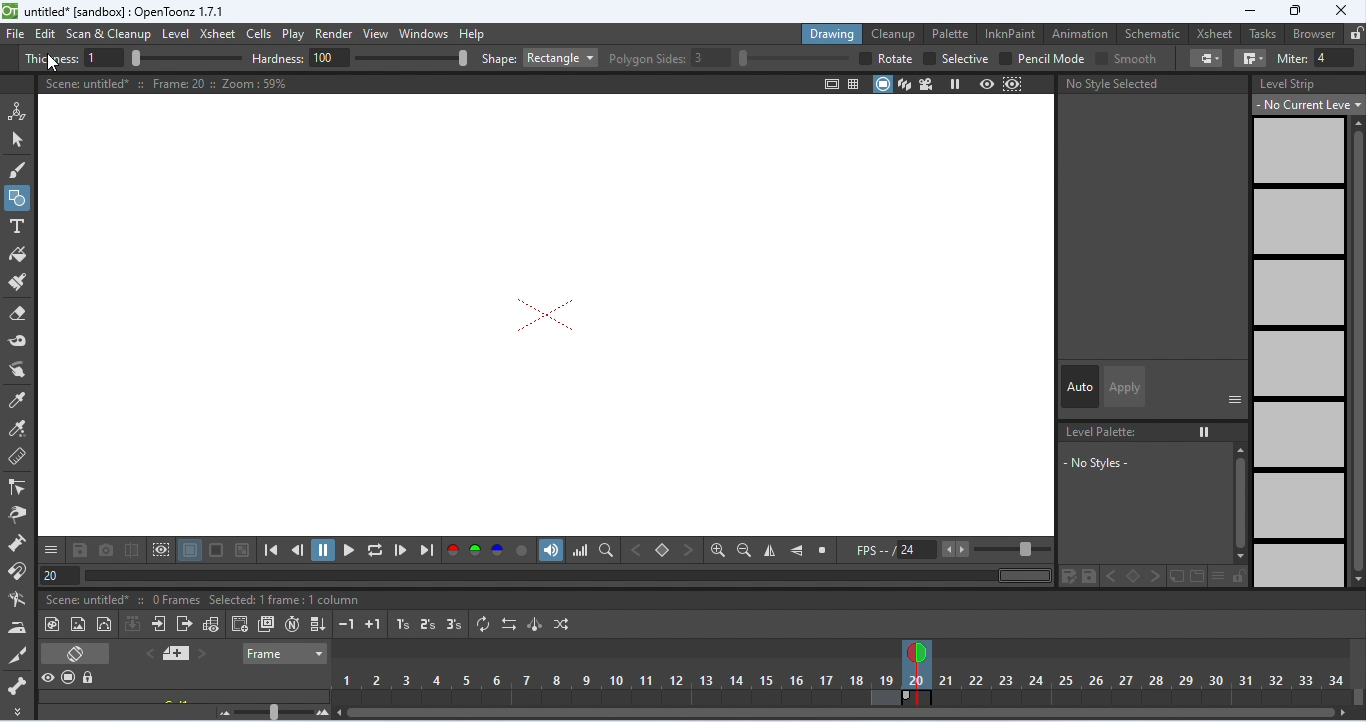  Describe the element at coordinates (1357, 351) in the screenshot. I see `vertical scroll bar` at that location.